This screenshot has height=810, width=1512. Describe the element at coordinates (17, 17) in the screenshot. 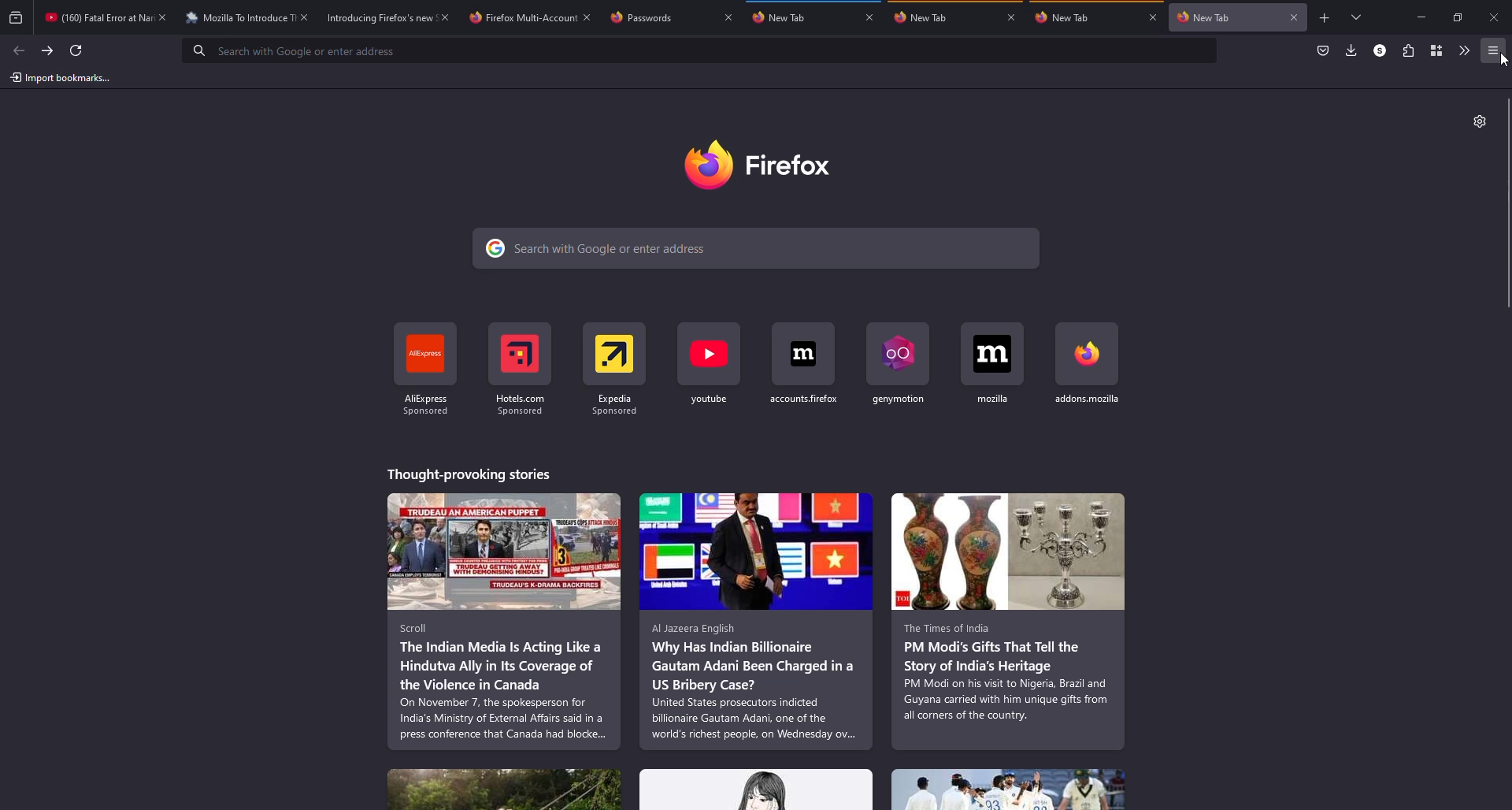

I see `view recent` at that location.